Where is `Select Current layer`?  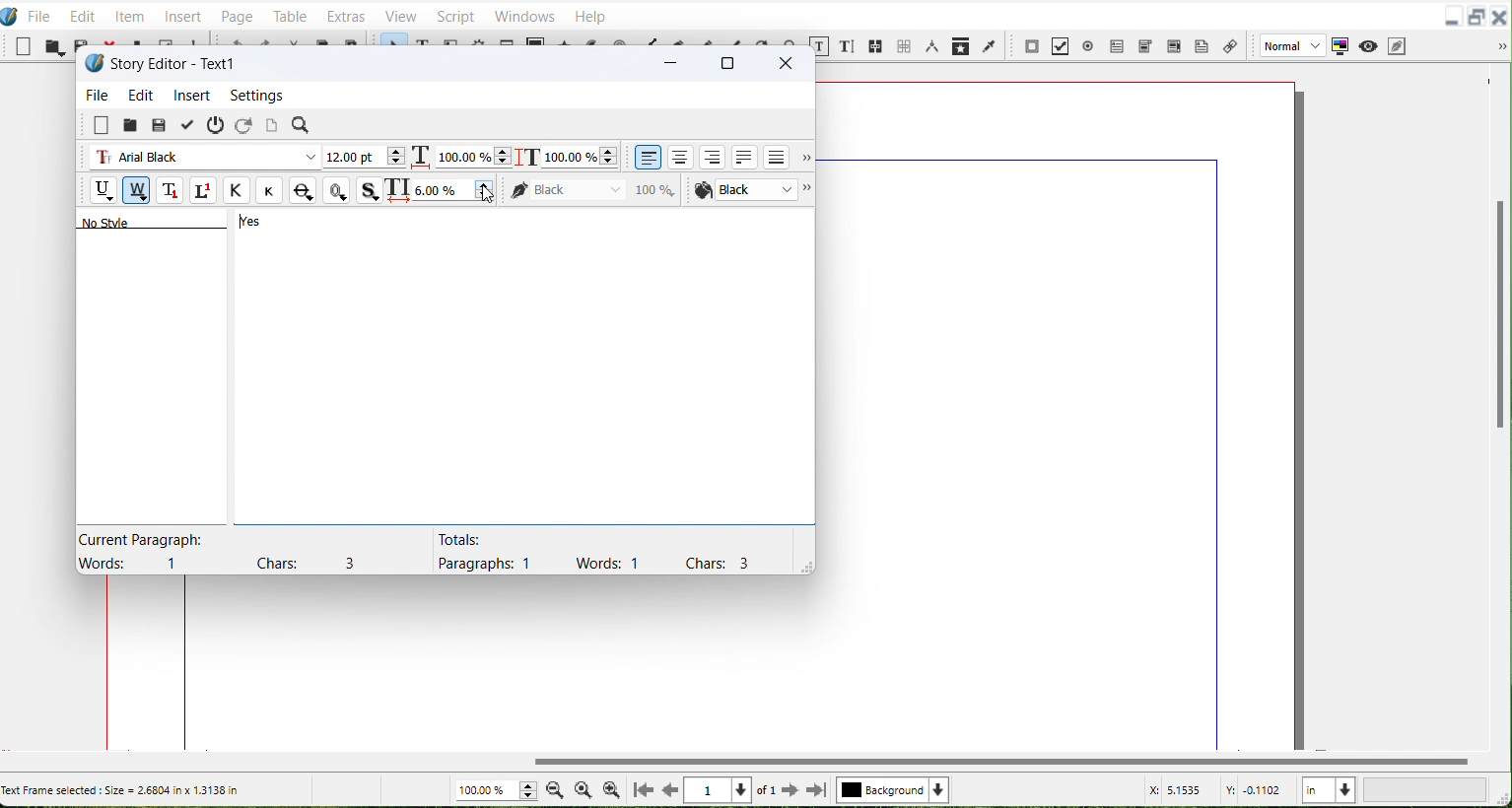
Select Current layer is located at coordinates (896, 790).